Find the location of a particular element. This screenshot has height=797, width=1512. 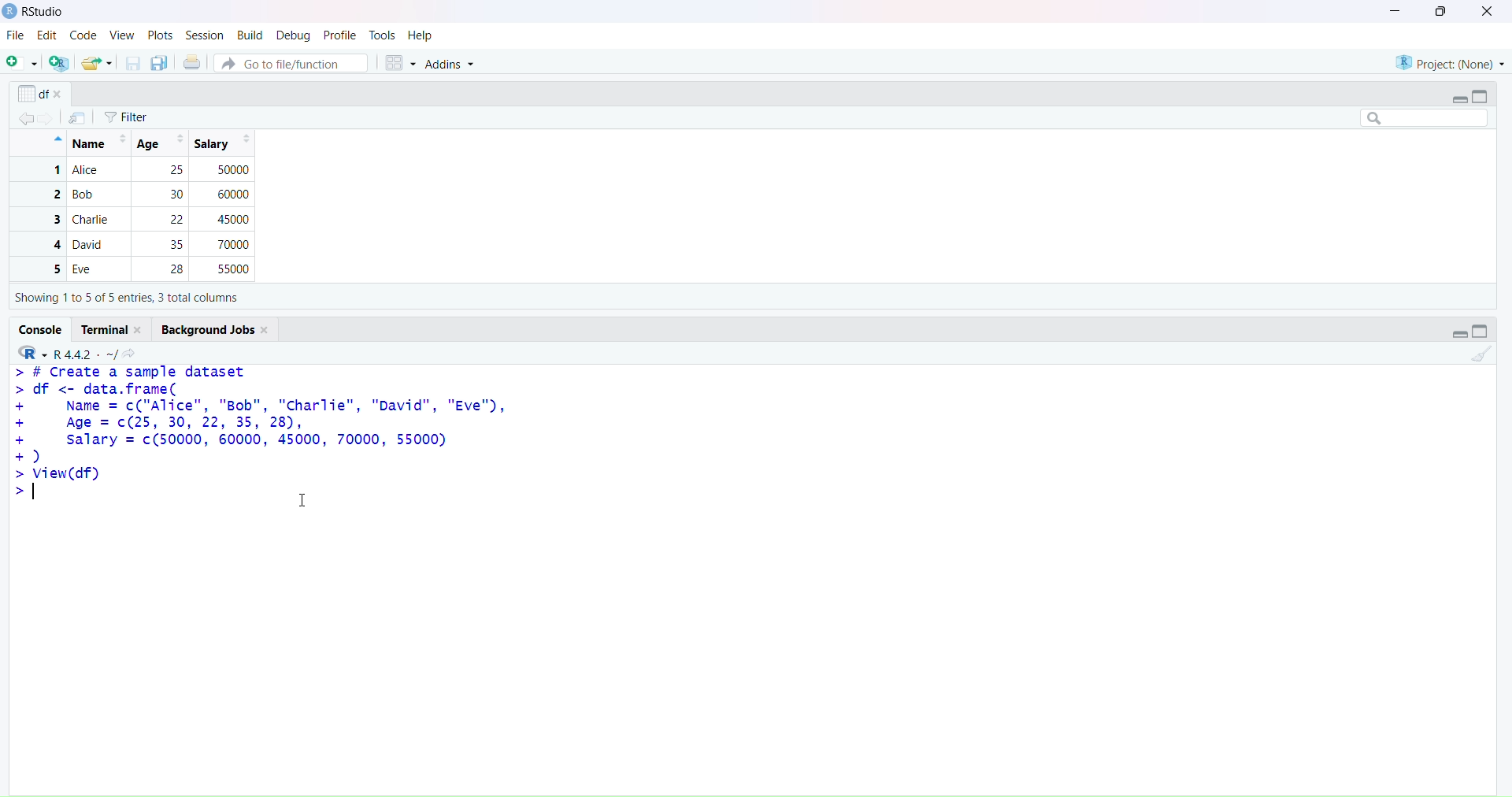

collapse is located at coordinates (1483, 332).